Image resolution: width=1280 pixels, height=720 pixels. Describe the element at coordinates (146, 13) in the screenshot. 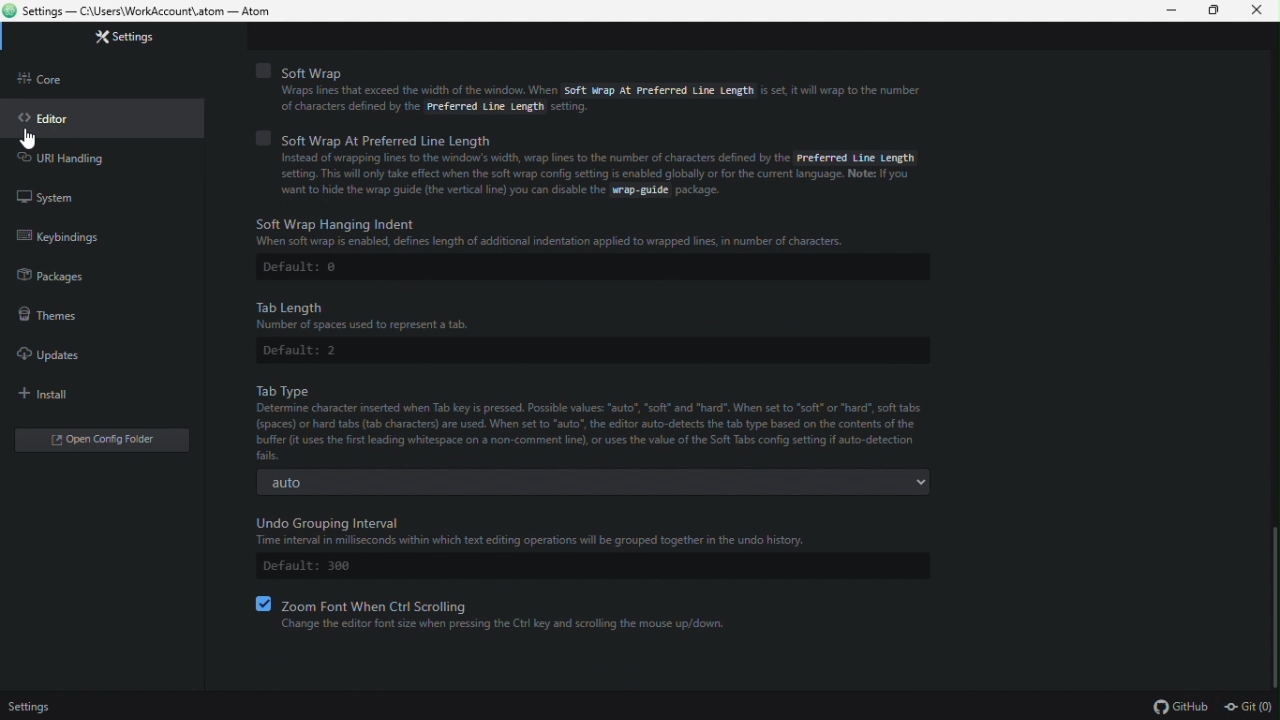

I see ` Settings — C:\Users\WorkAccount\.atom — Atom` at that location.